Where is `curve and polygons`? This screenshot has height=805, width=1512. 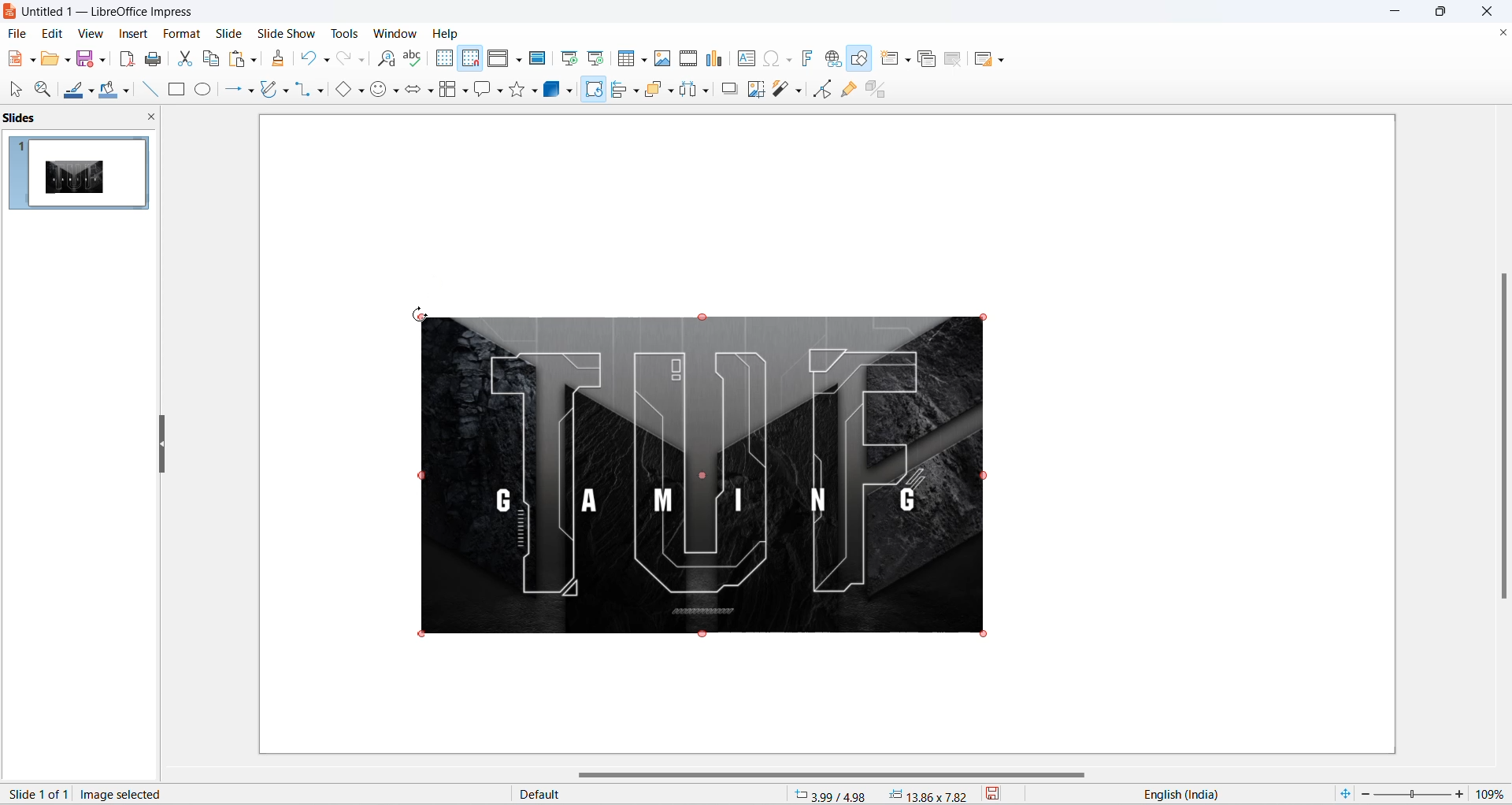 curve and polygons is located at coordinates (270, 91).